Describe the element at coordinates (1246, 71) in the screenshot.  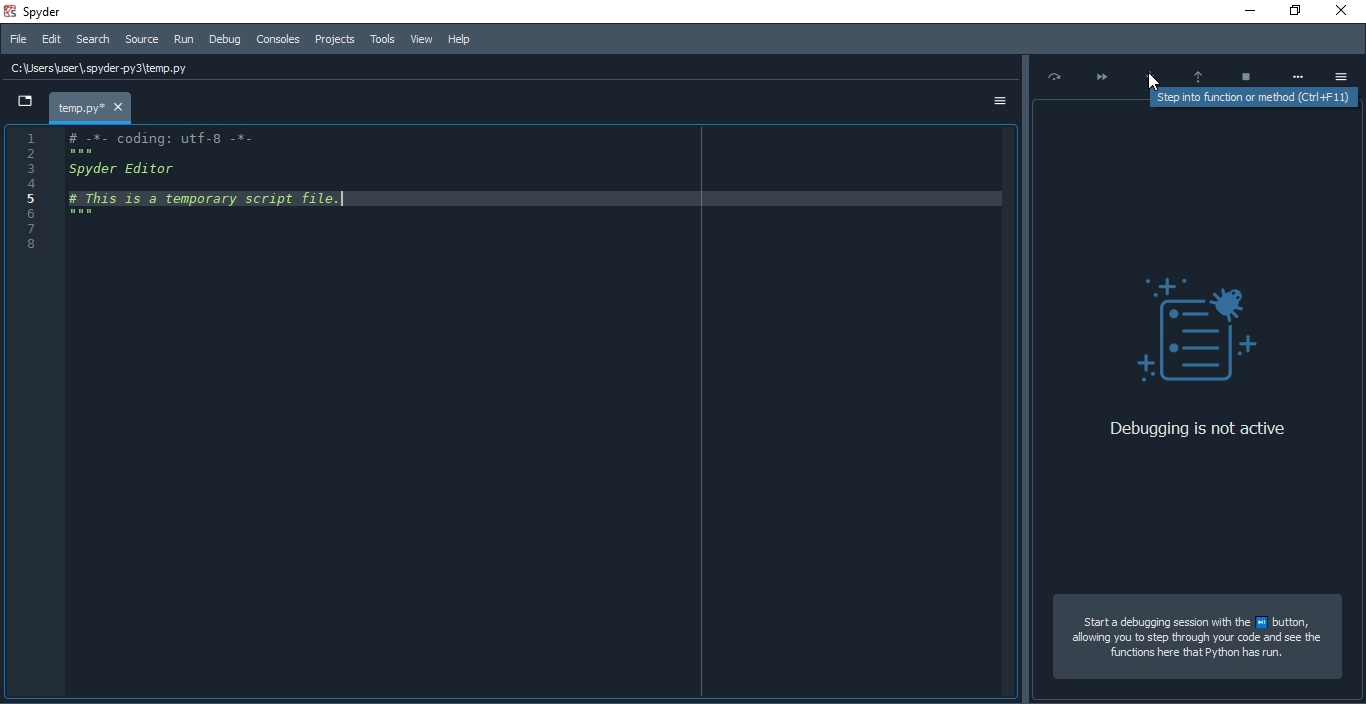
I see `Stop debugging` at that location.